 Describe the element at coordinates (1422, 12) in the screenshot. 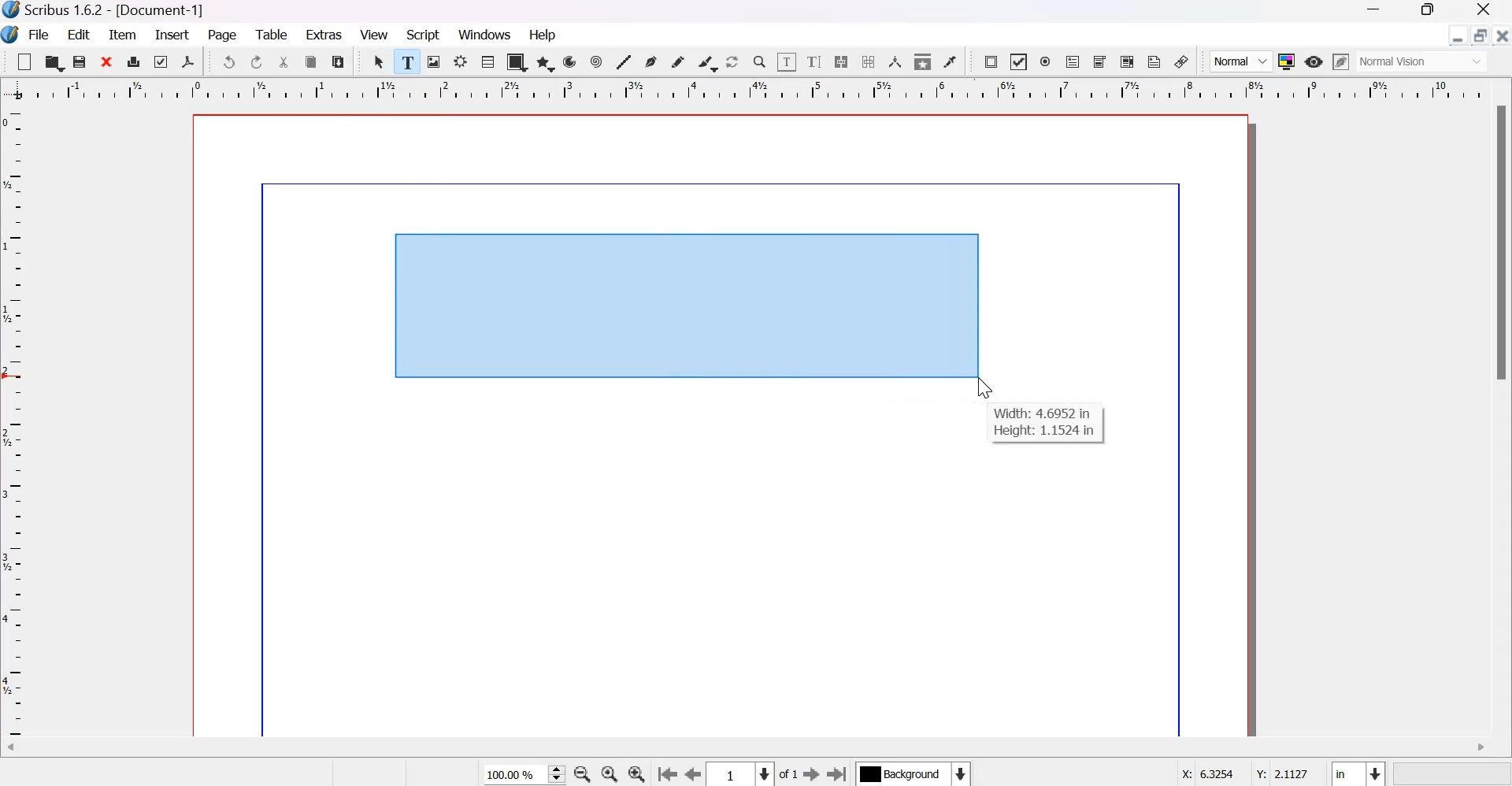

I see `Maximize` at that location.